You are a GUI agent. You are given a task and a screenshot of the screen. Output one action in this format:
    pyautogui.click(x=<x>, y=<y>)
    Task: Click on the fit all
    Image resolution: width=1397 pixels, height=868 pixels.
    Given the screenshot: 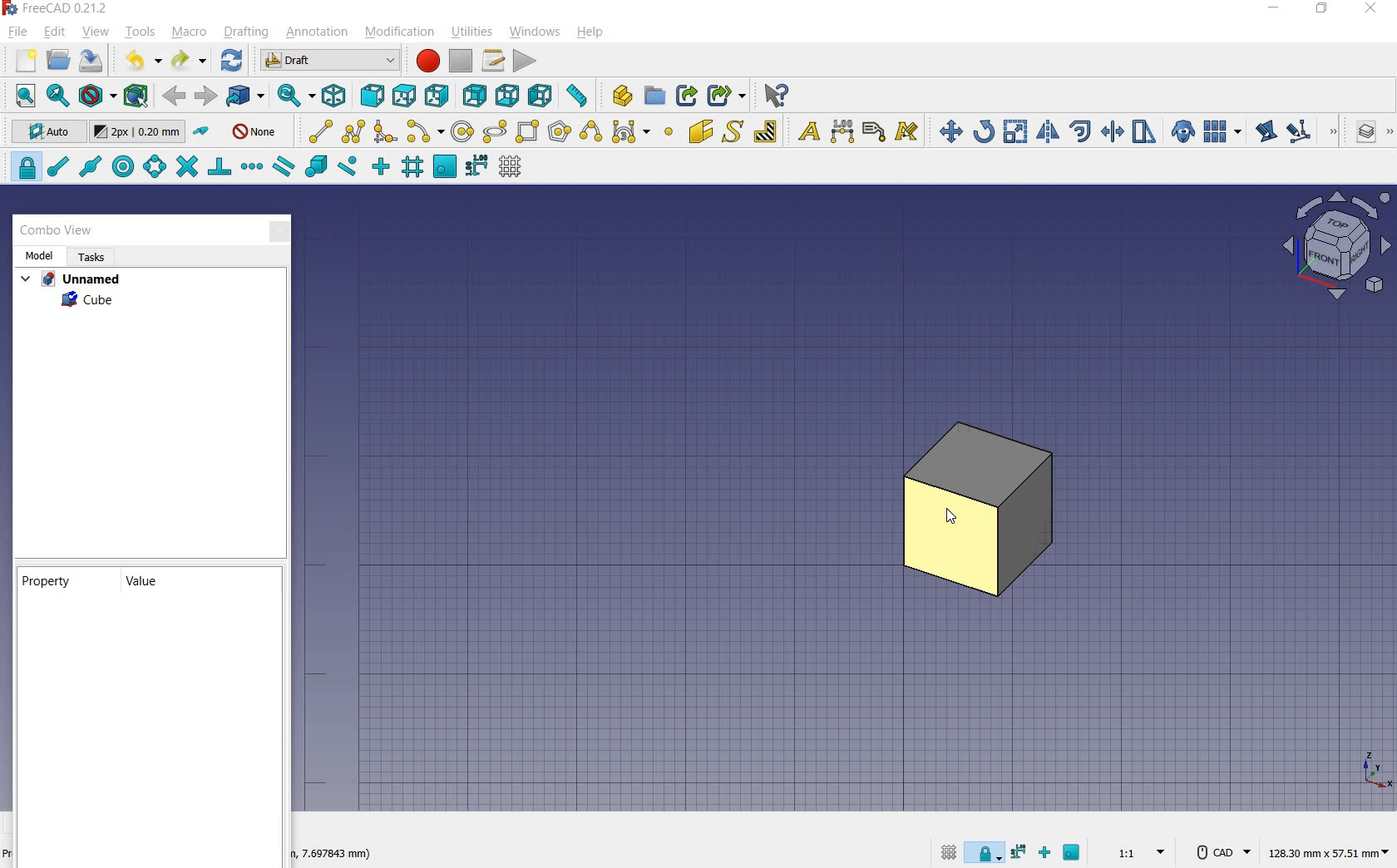 What is the action you would take?
    pyautogui.click(x=20, y=96)
    